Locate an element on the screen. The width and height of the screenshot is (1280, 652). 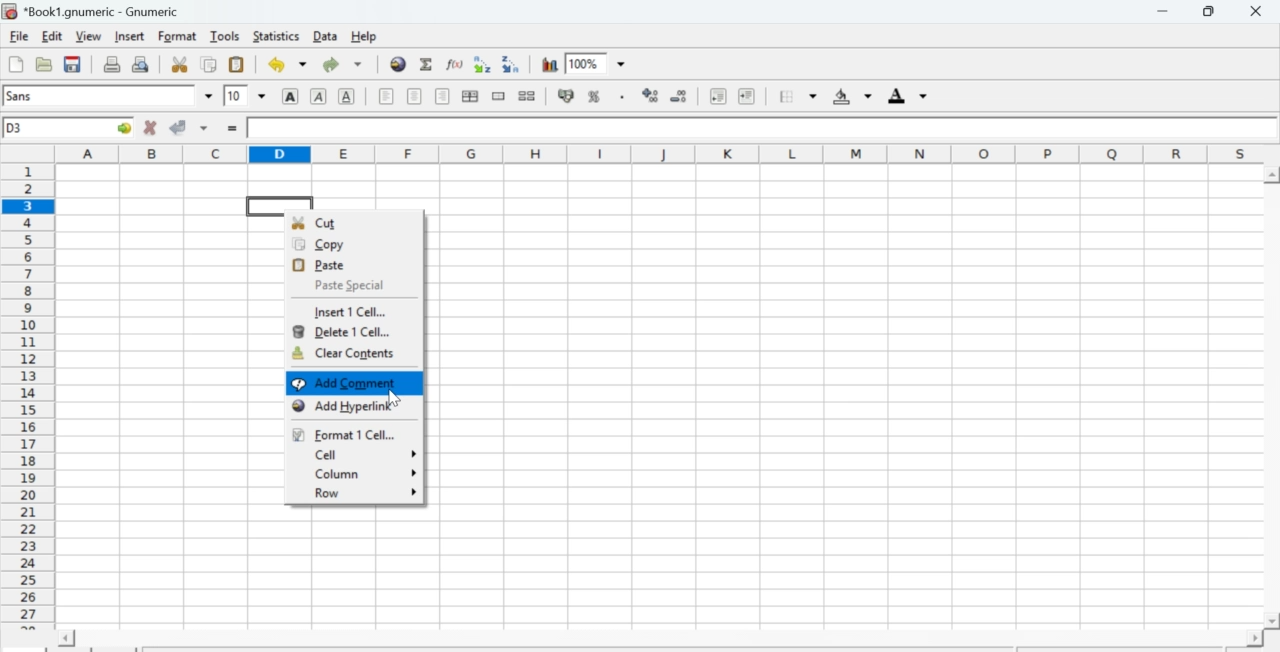
Save is located at coordinates (72, 65).